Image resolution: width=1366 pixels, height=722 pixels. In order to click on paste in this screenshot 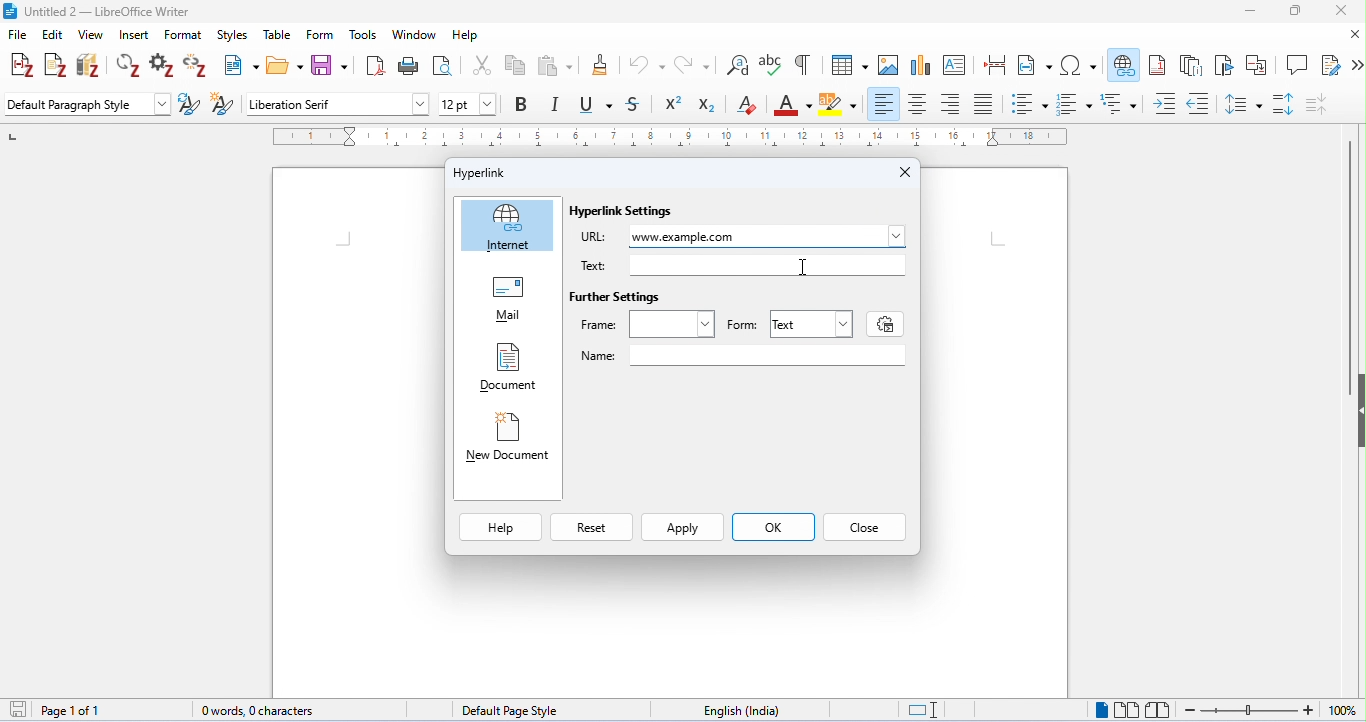, I will do `click(555, 64)`.